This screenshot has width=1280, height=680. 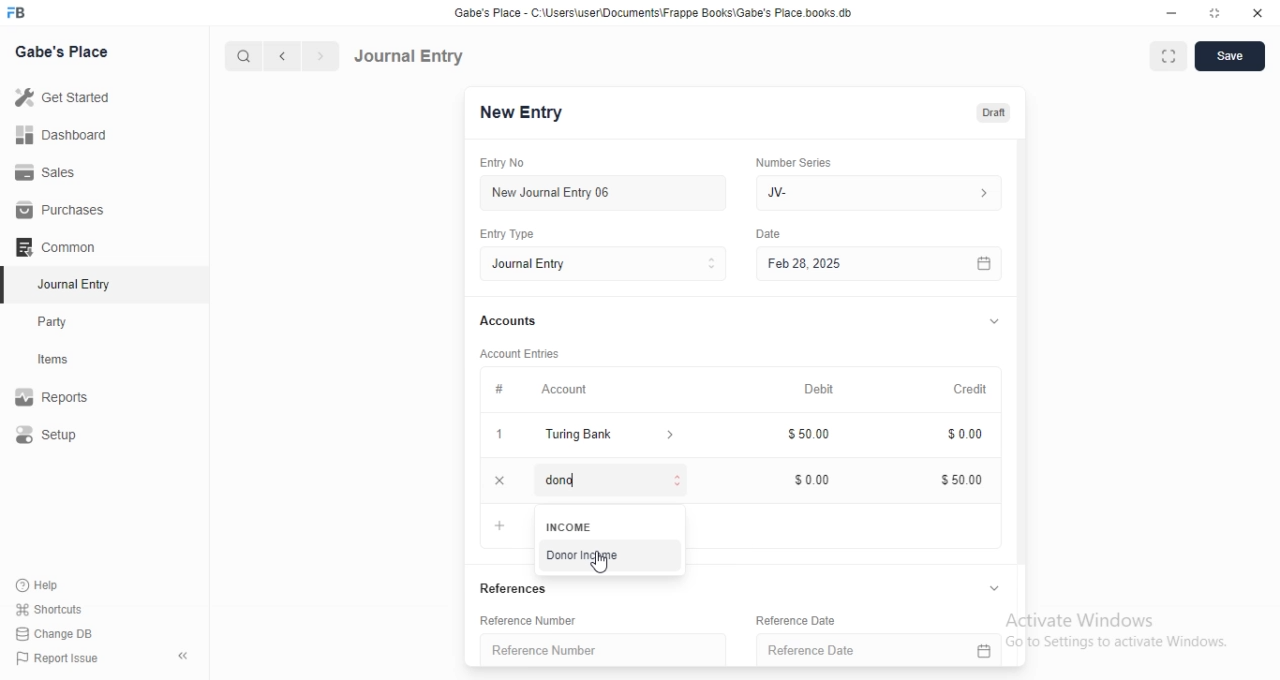 I want to click on Sales, so click(x=64, y=171).